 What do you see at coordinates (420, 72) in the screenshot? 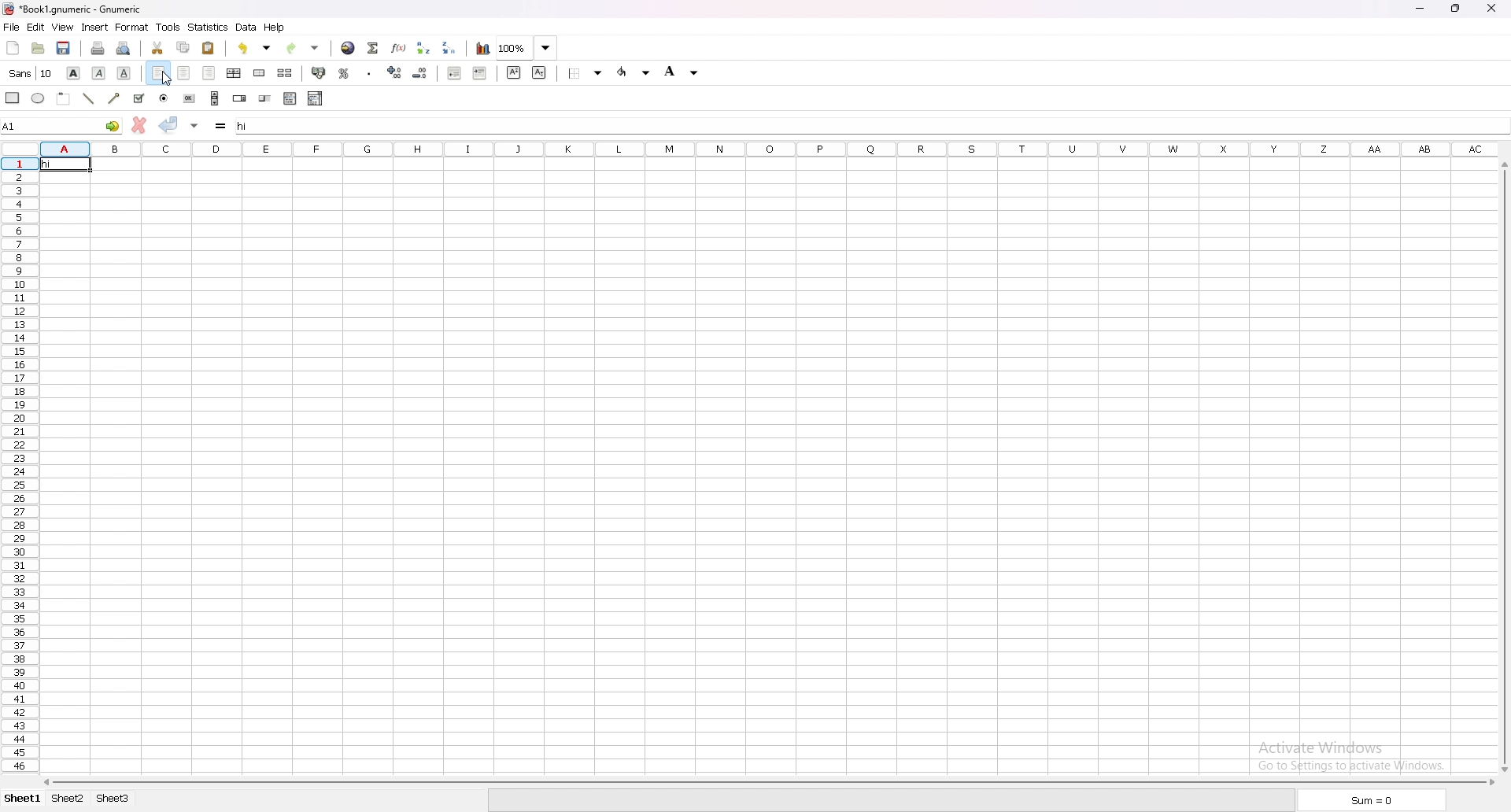
I see `increase decimal point` at bounding box center [420, 72].